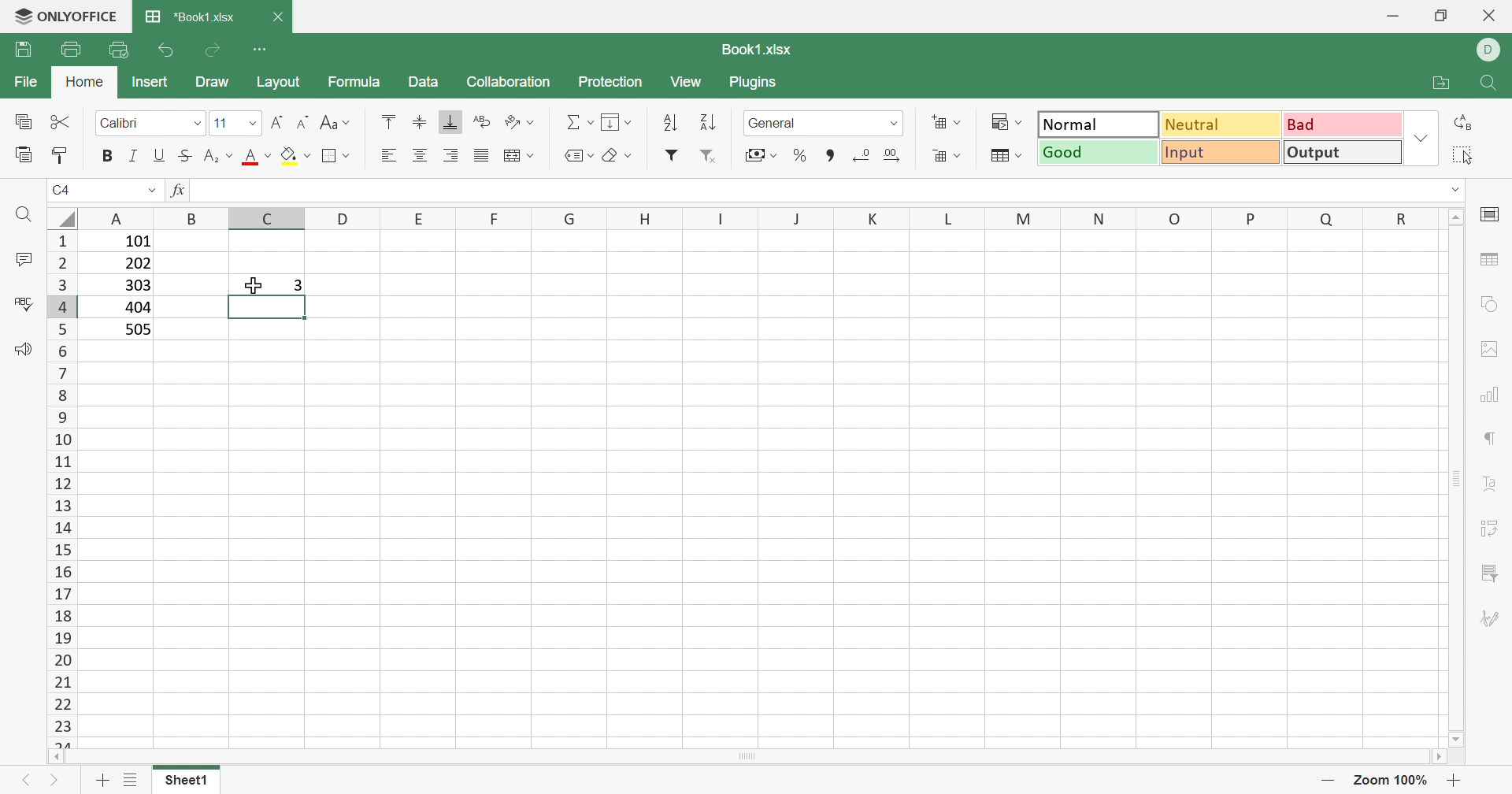 The image size is (1512, 794). What do you see at coordinates (63, 189) in the screenshot?
I see `C4` at bounding box center [63, 189].